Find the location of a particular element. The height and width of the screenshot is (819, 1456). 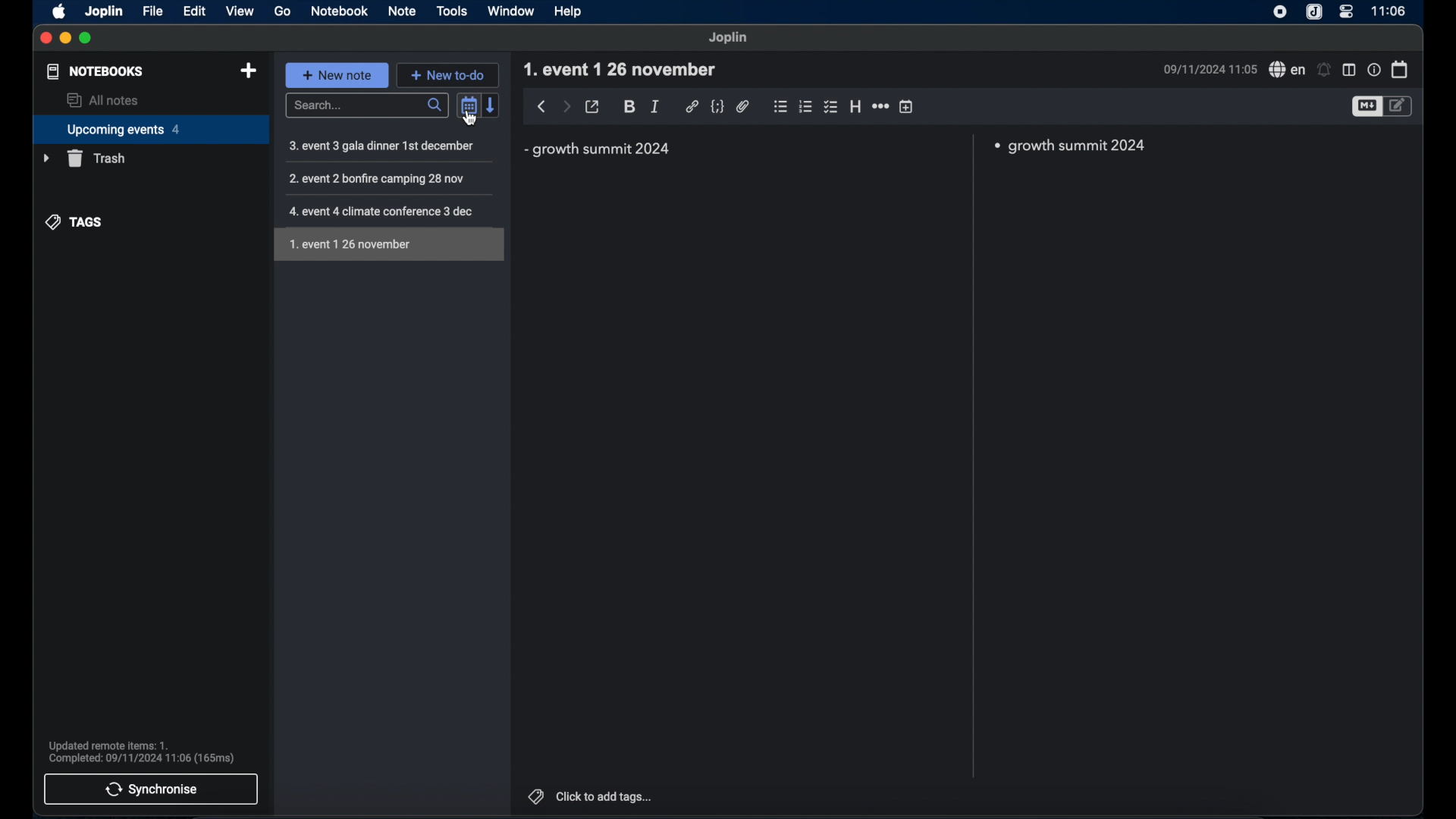

apple icon is located at coordinates (60, 13).